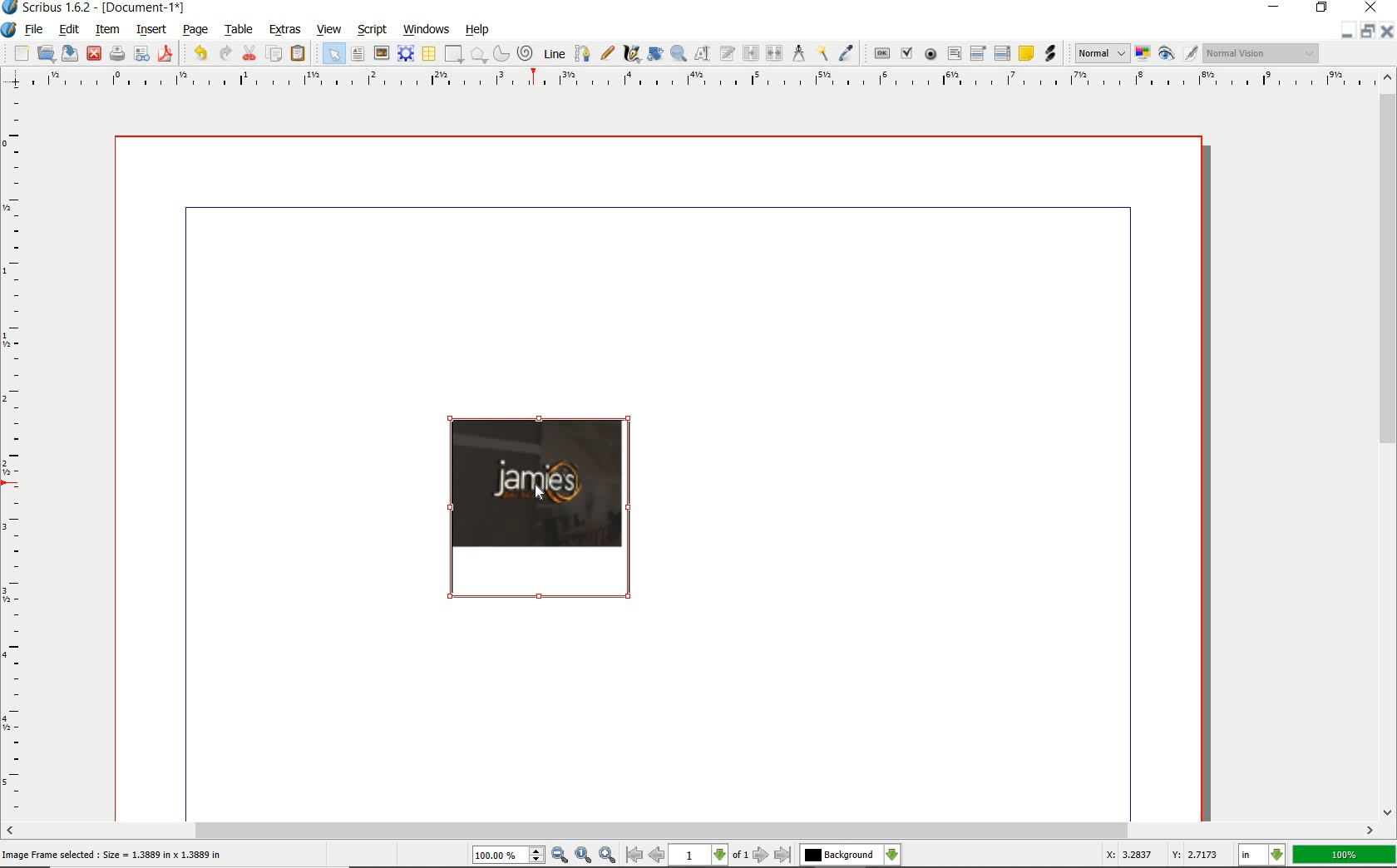  I want to click on visual appearance of the display, so click(1261, 55).